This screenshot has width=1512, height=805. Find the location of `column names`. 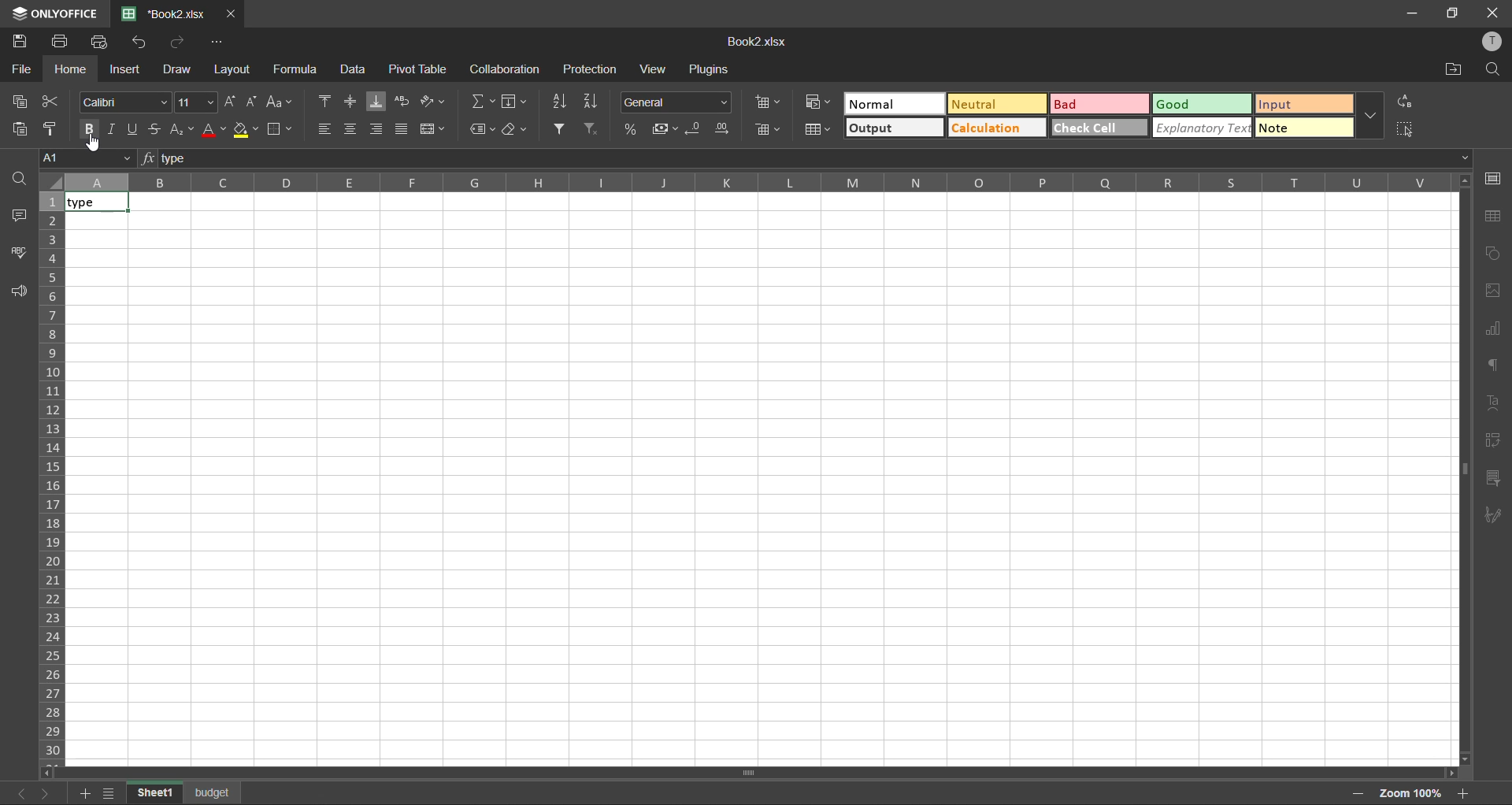

column names is located at coordinates (756, 182).